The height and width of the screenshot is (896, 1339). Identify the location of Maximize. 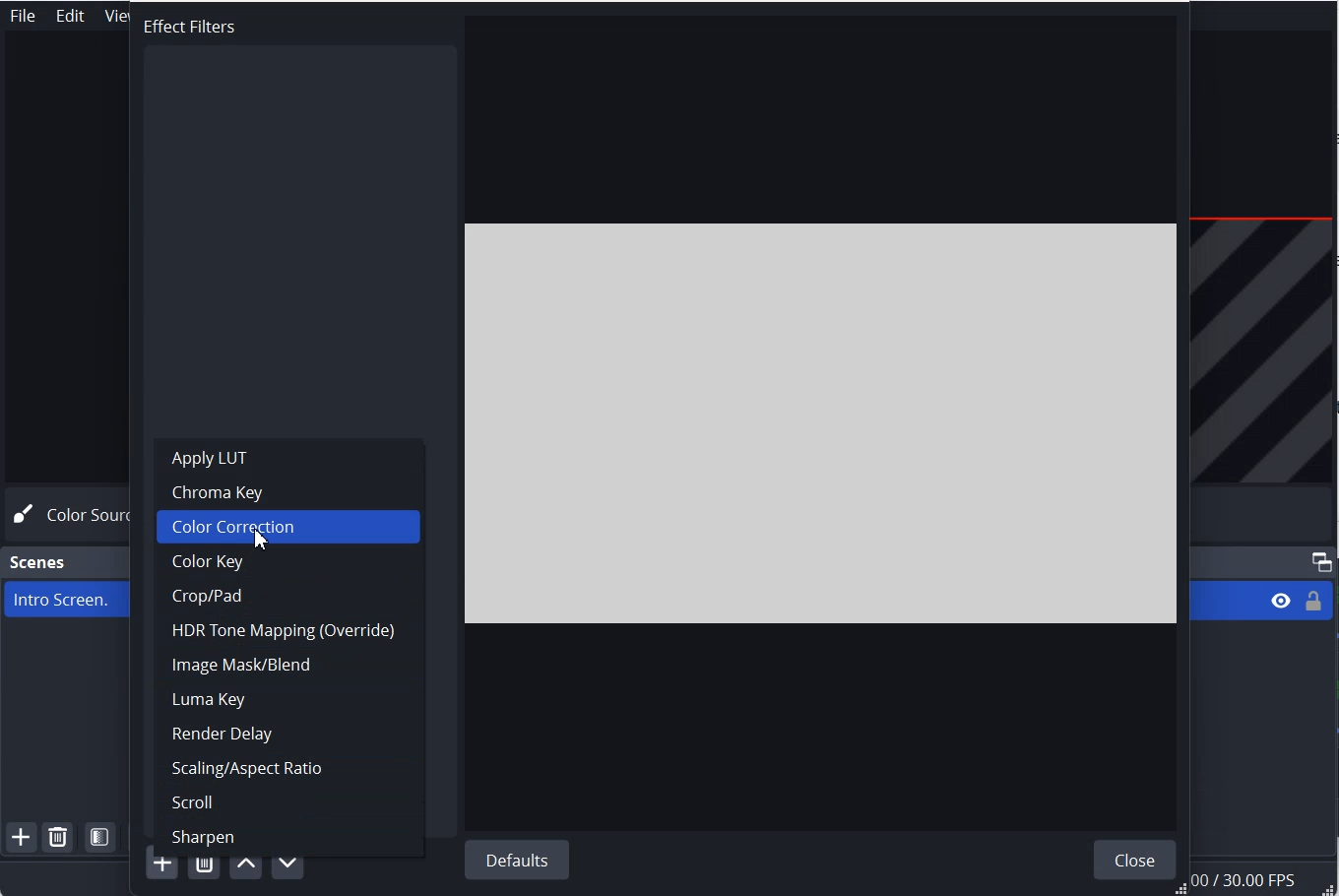
(1321, 561).